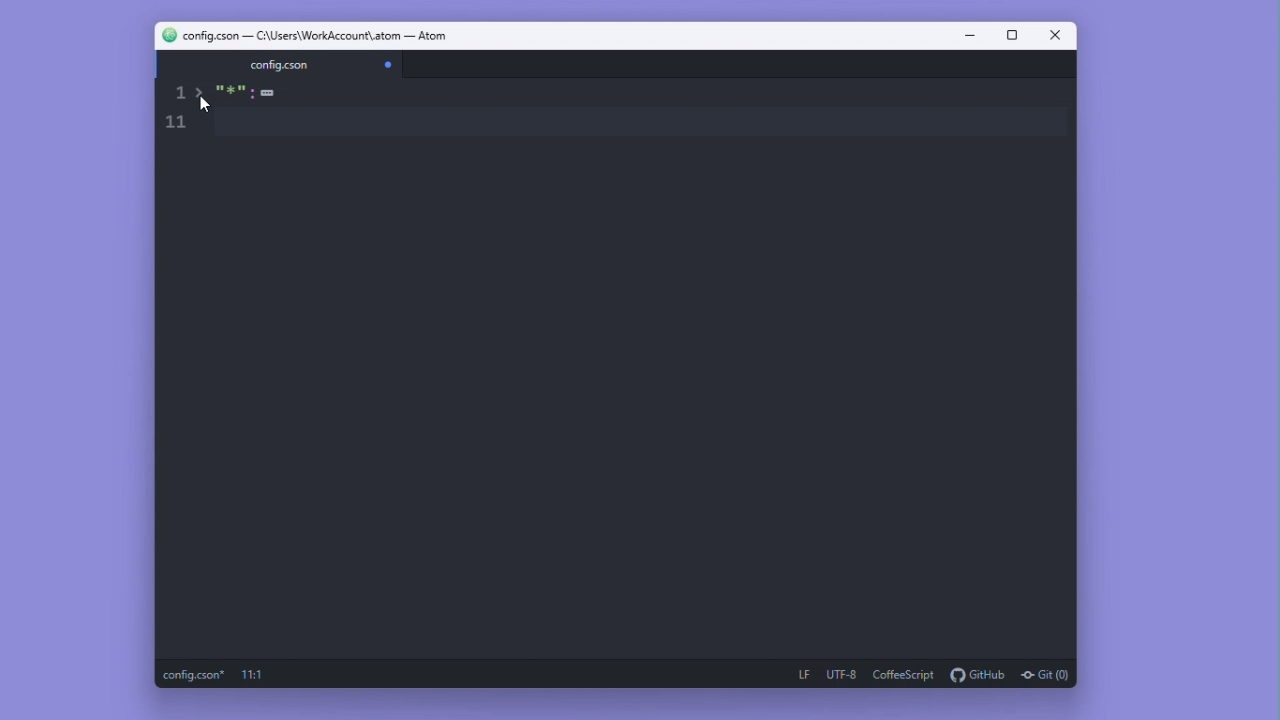  What do you see at coordinates (977, 672) in the screenshot?
I see `github` at bounding box center [977, 672].